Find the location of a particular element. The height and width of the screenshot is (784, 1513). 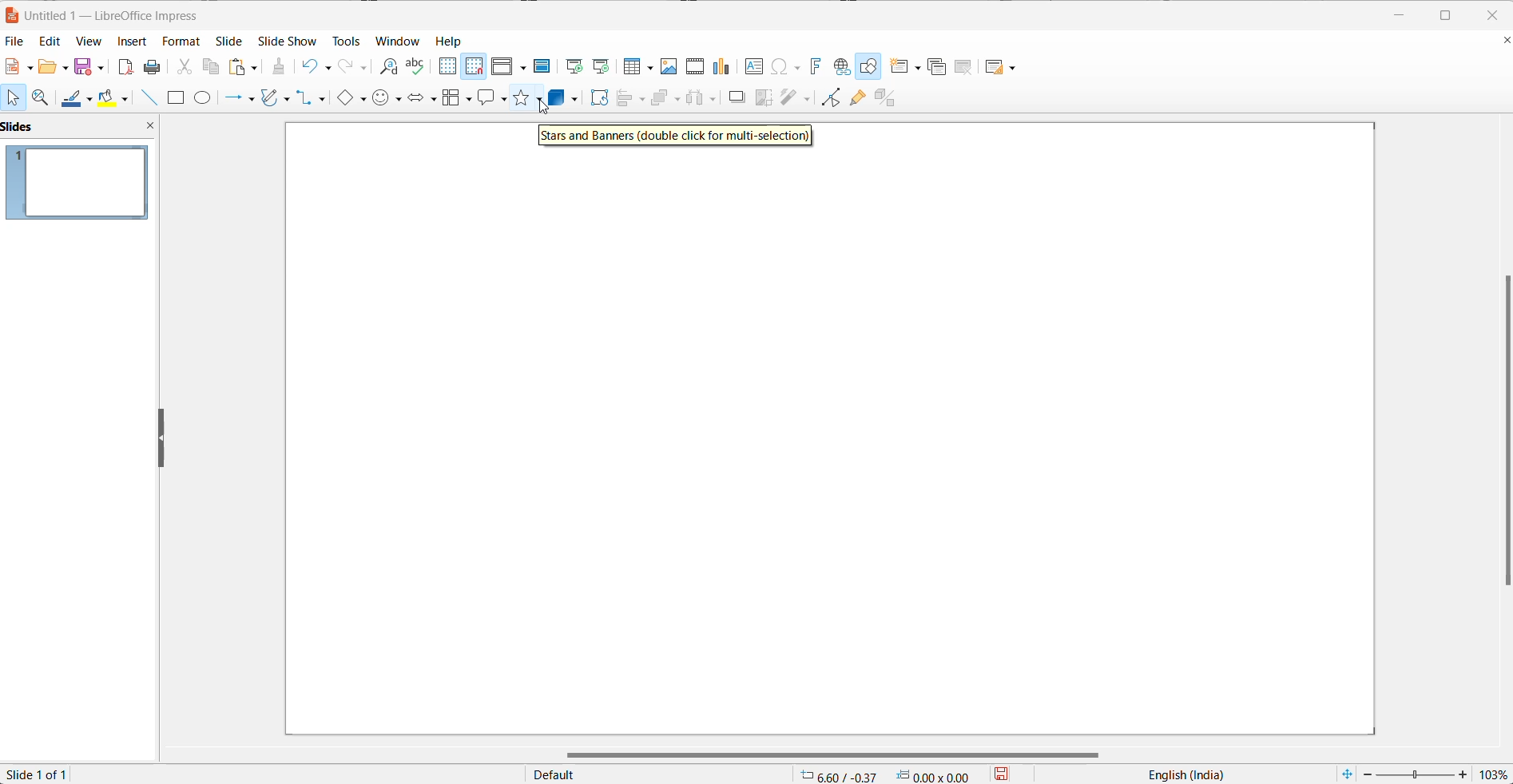

align is located at coordinates (631, 99).